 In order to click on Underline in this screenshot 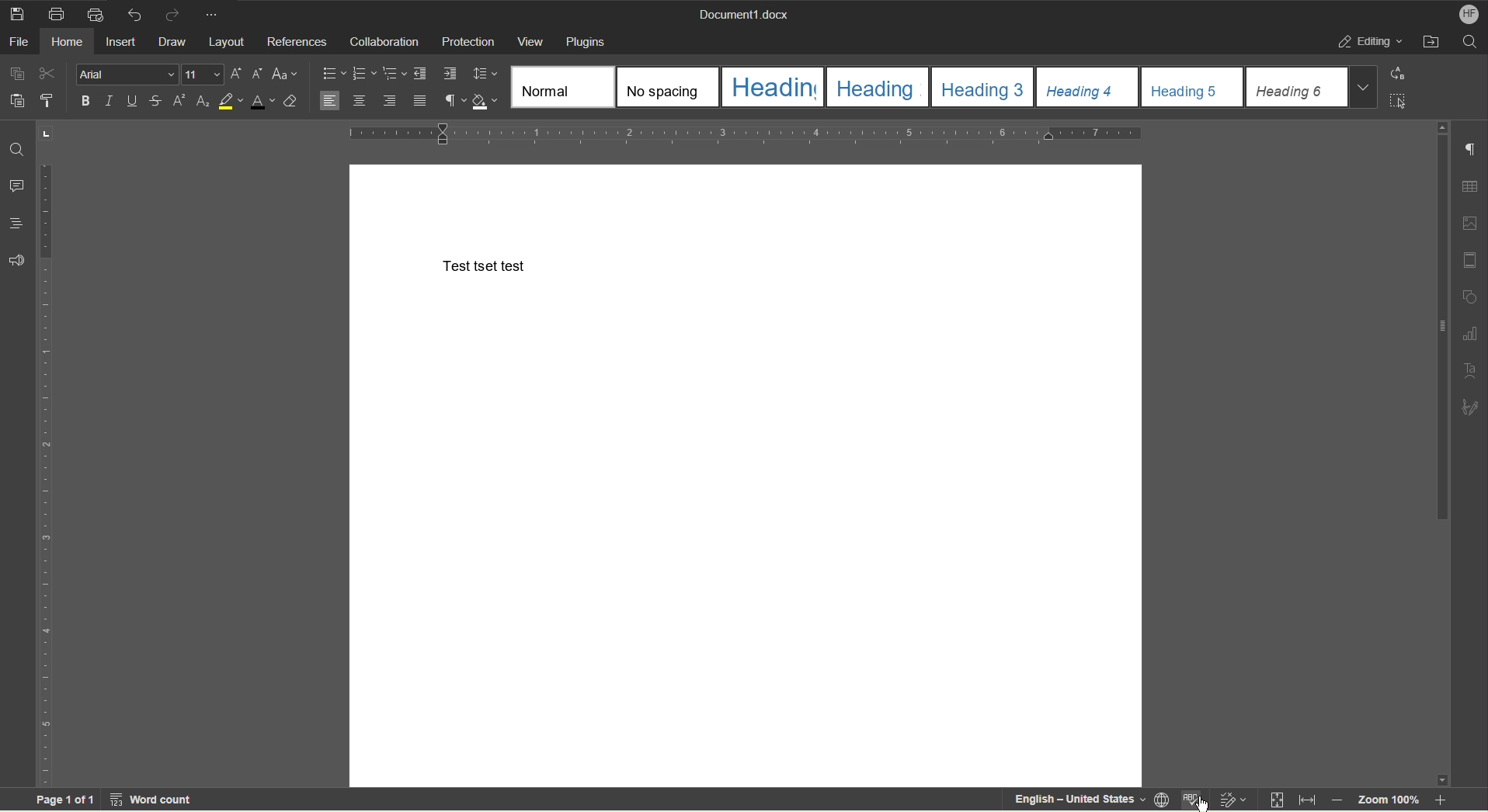, I will do `click(137, 102)`.